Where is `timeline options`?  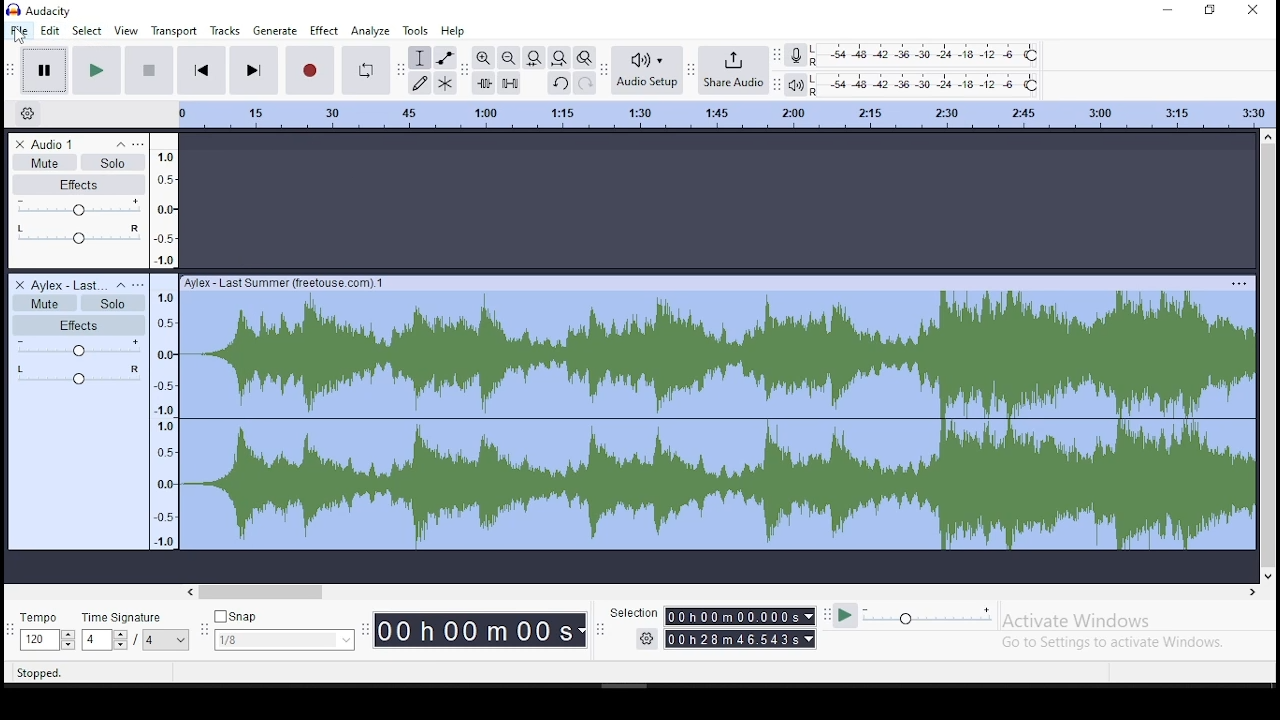 timeline options is located at coordinates (28, 113).